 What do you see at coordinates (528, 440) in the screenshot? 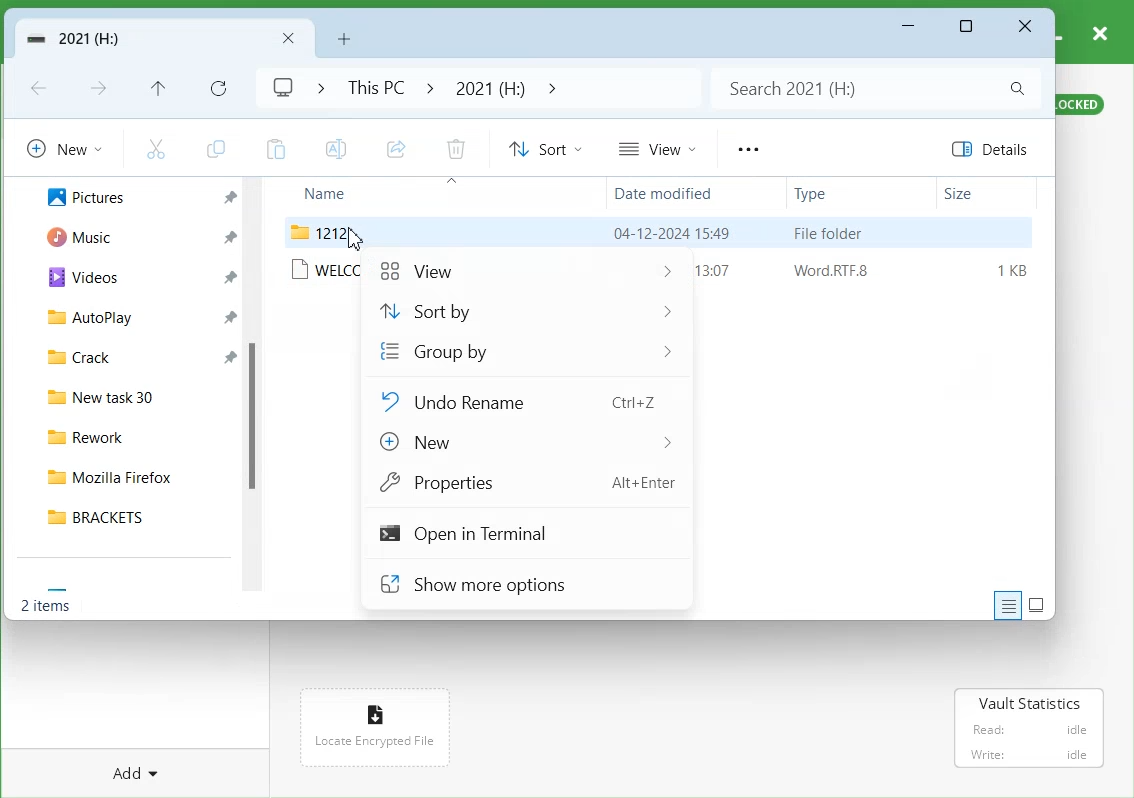
I see `New` at bounding box center [528, 440].